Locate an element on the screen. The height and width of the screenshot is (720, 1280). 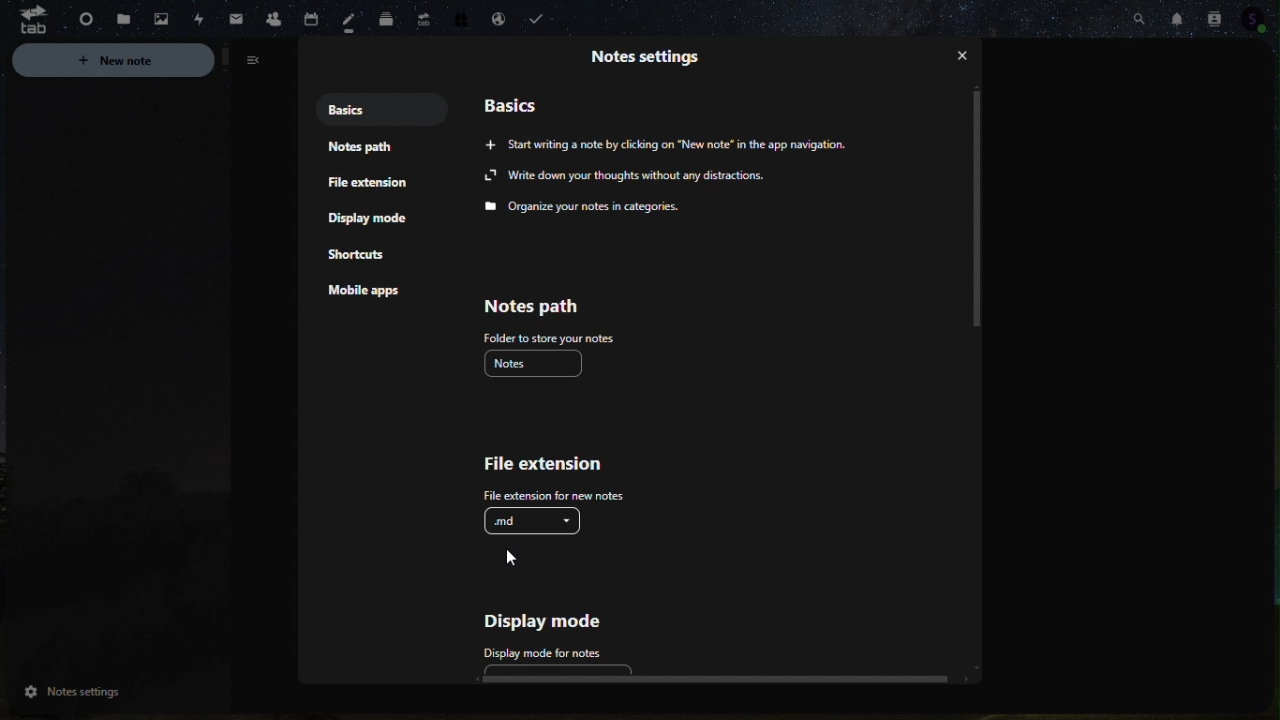
.md ( enabled) is located at coordinates (536, 522).